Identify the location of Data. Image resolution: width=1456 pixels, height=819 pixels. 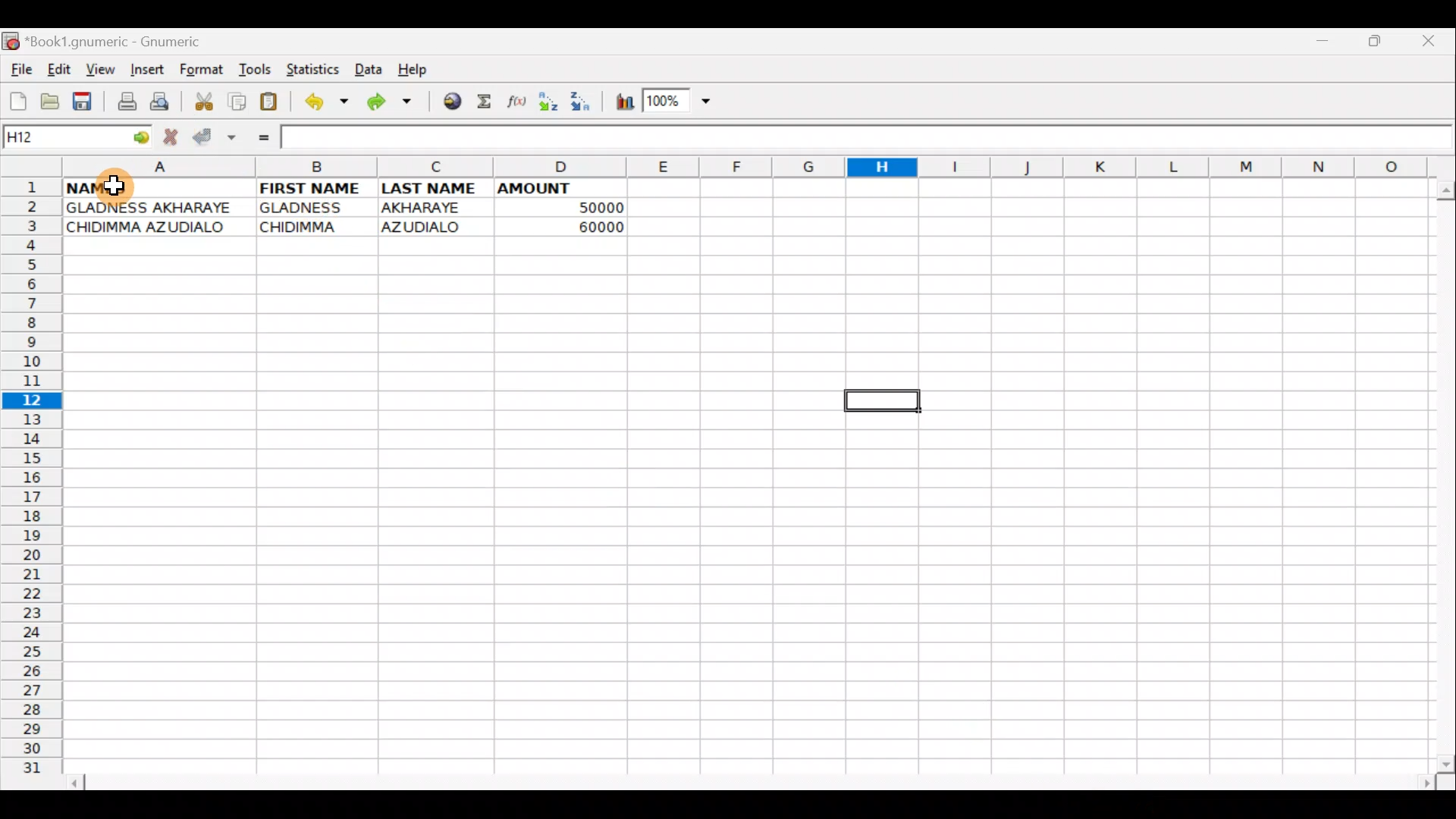
(366, 67).